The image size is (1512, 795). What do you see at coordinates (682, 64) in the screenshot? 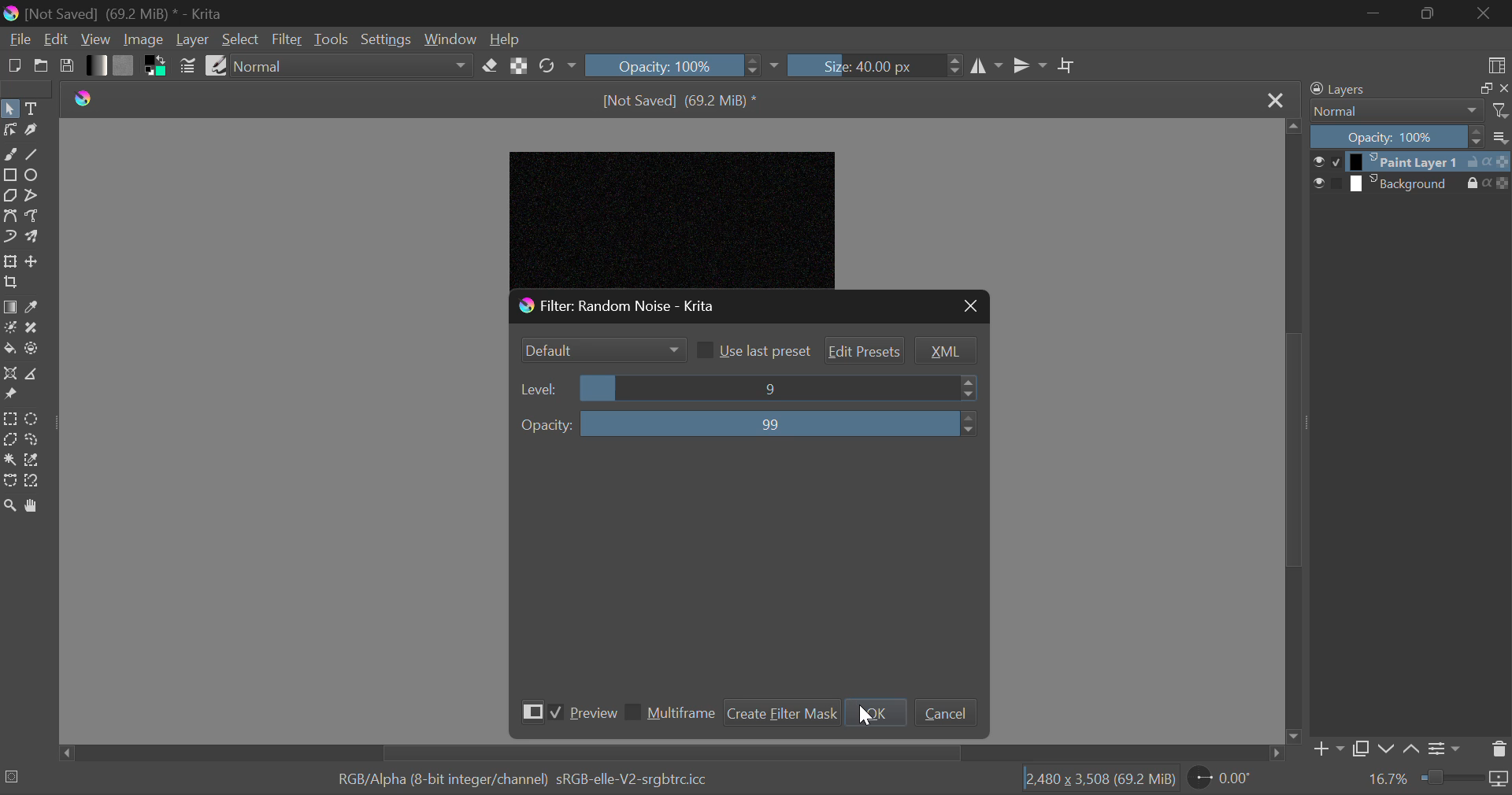
I see `Opacity` at bounding box center [682, 64].